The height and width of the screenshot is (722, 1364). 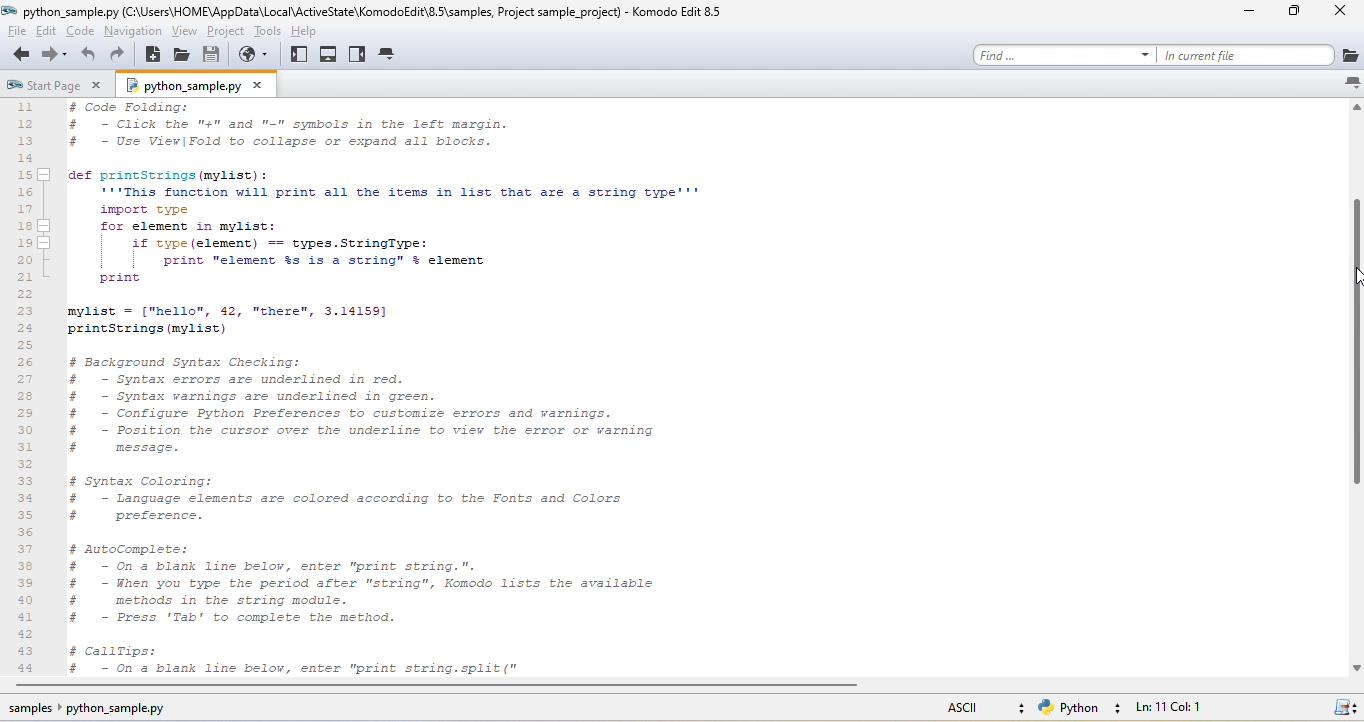 What do you see at coordinates (1064, 55) in the screenshot?
I see `find` at bounding box center [1064, 55].